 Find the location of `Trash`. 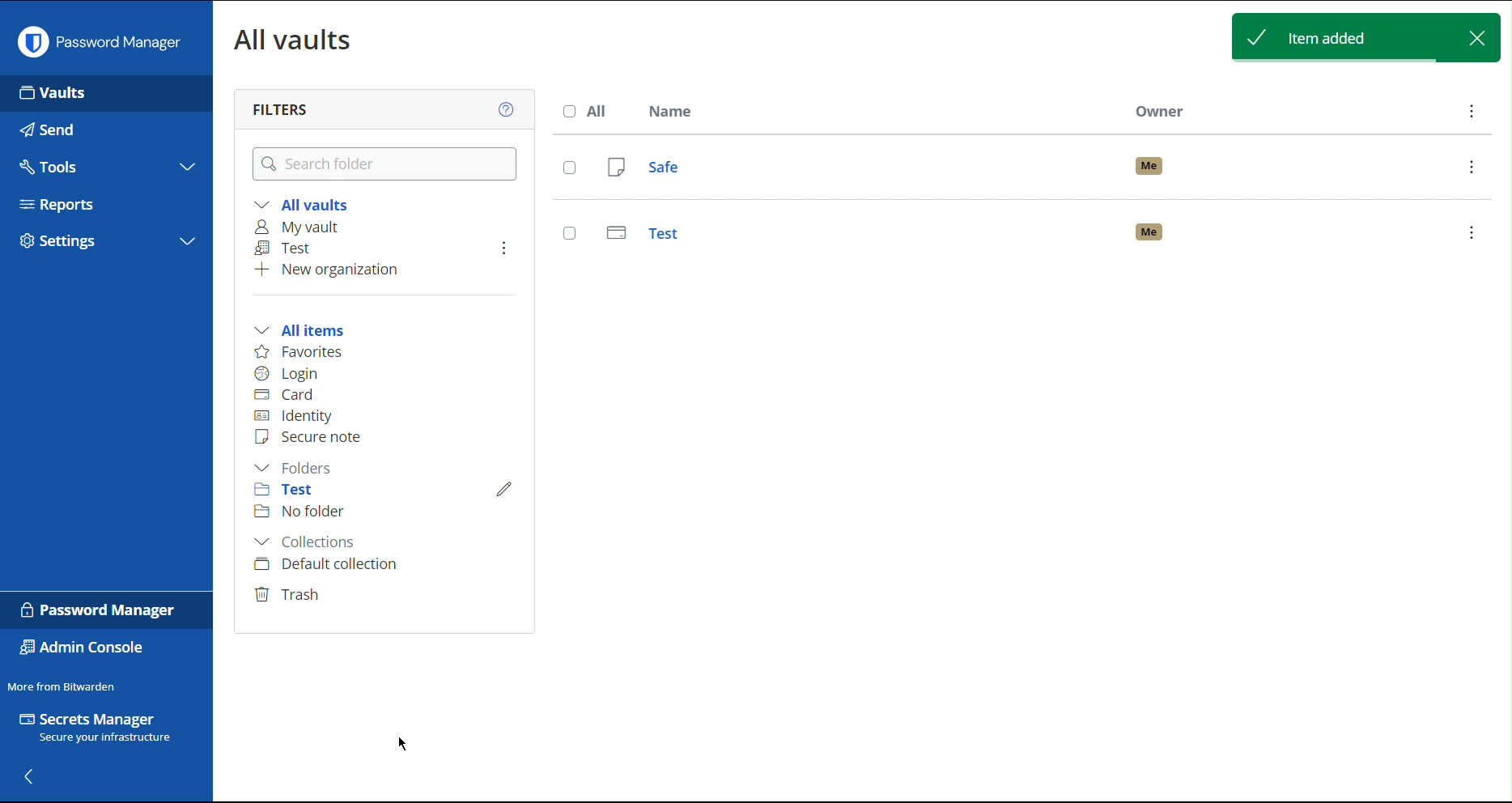

Trash is located at coordinates (290, 592).